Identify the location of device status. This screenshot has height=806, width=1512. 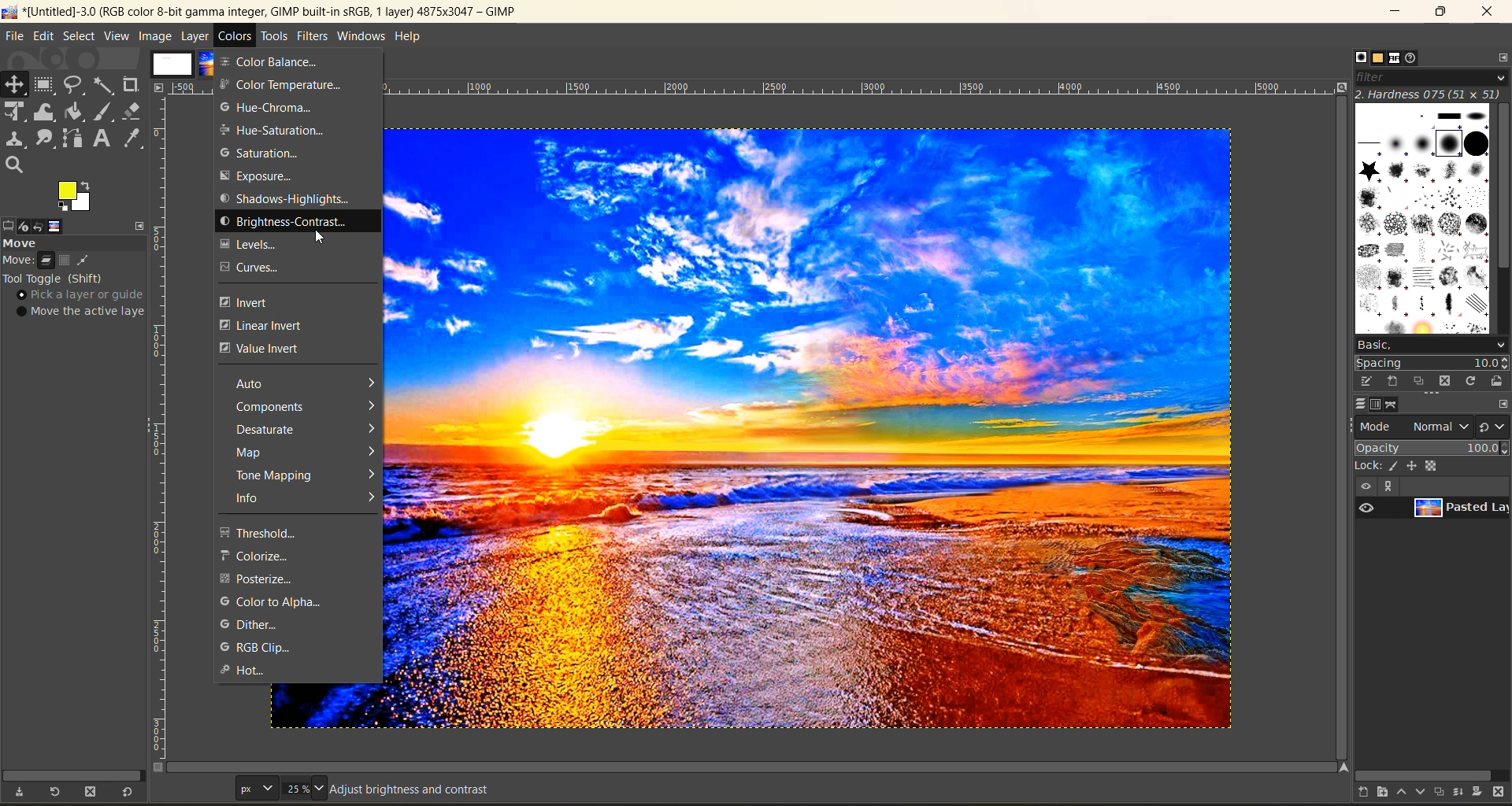
(21, 227).